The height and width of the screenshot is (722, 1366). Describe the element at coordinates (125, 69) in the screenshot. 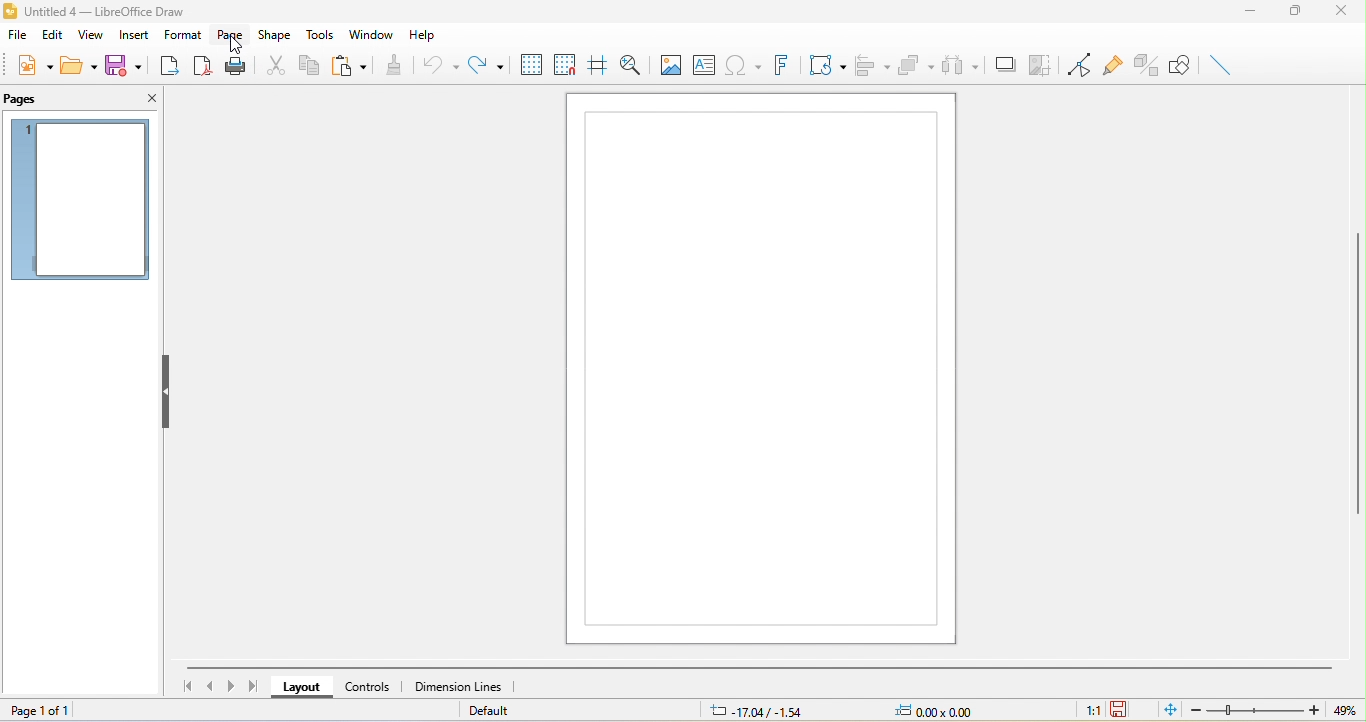

I see `save` at that location.